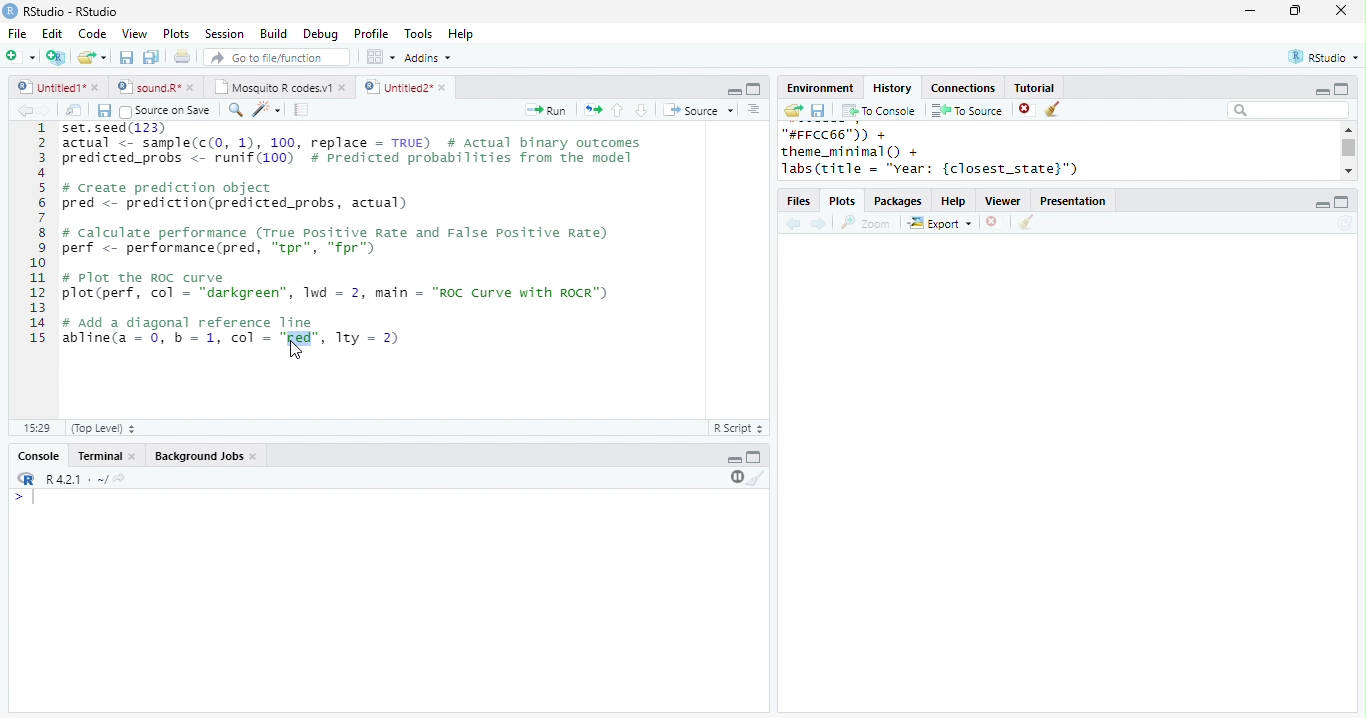  What do you see at coordinates (151, 57) in the screenshot?
I see `save all` at bounding box center [151, 57].